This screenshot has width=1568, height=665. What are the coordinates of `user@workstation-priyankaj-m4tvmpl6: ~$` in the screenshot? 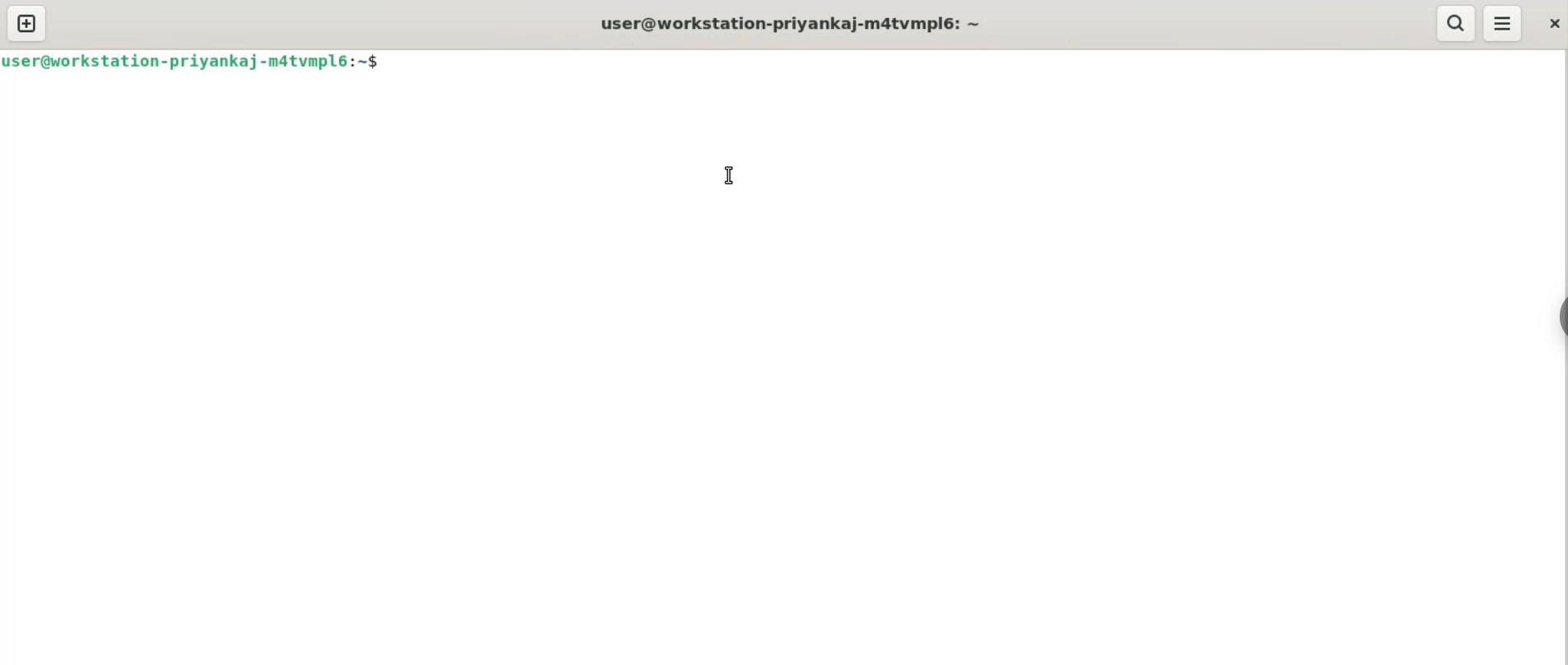 It's located at (191, 61).